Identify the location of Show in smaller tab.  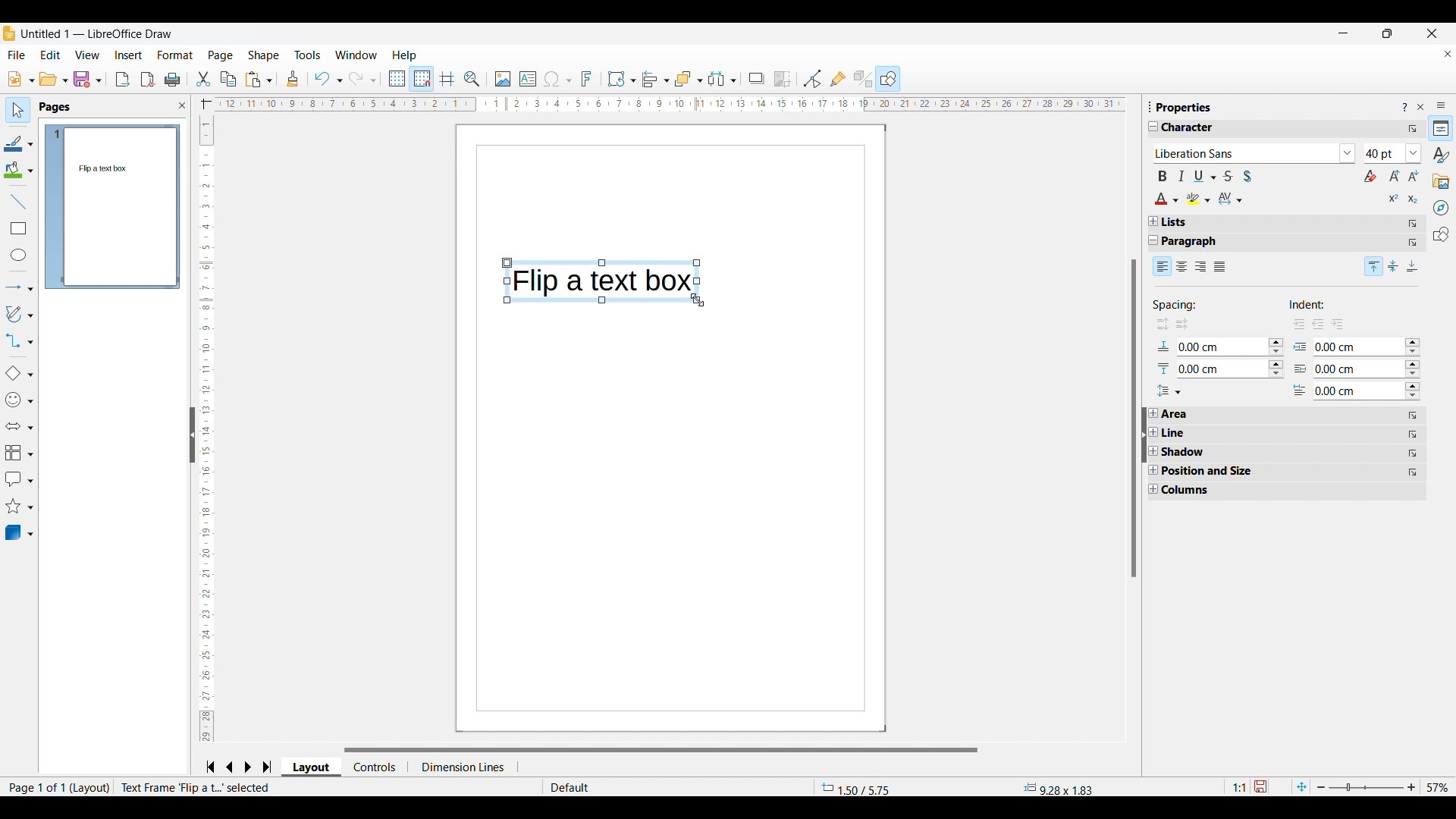
(1388, 33).